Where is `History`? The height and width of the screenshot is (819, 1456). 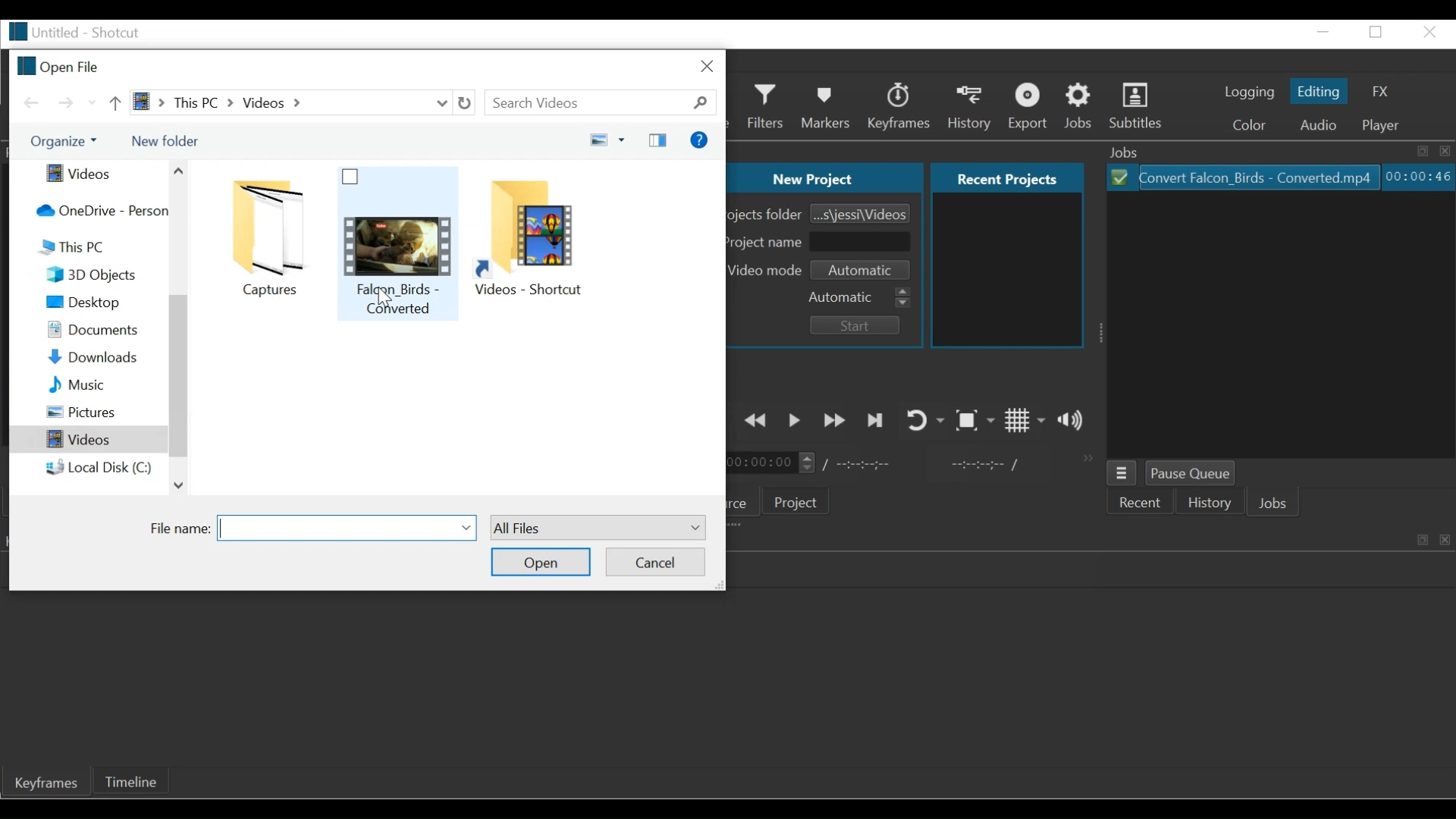 History is located at coordinates (1210, 500).